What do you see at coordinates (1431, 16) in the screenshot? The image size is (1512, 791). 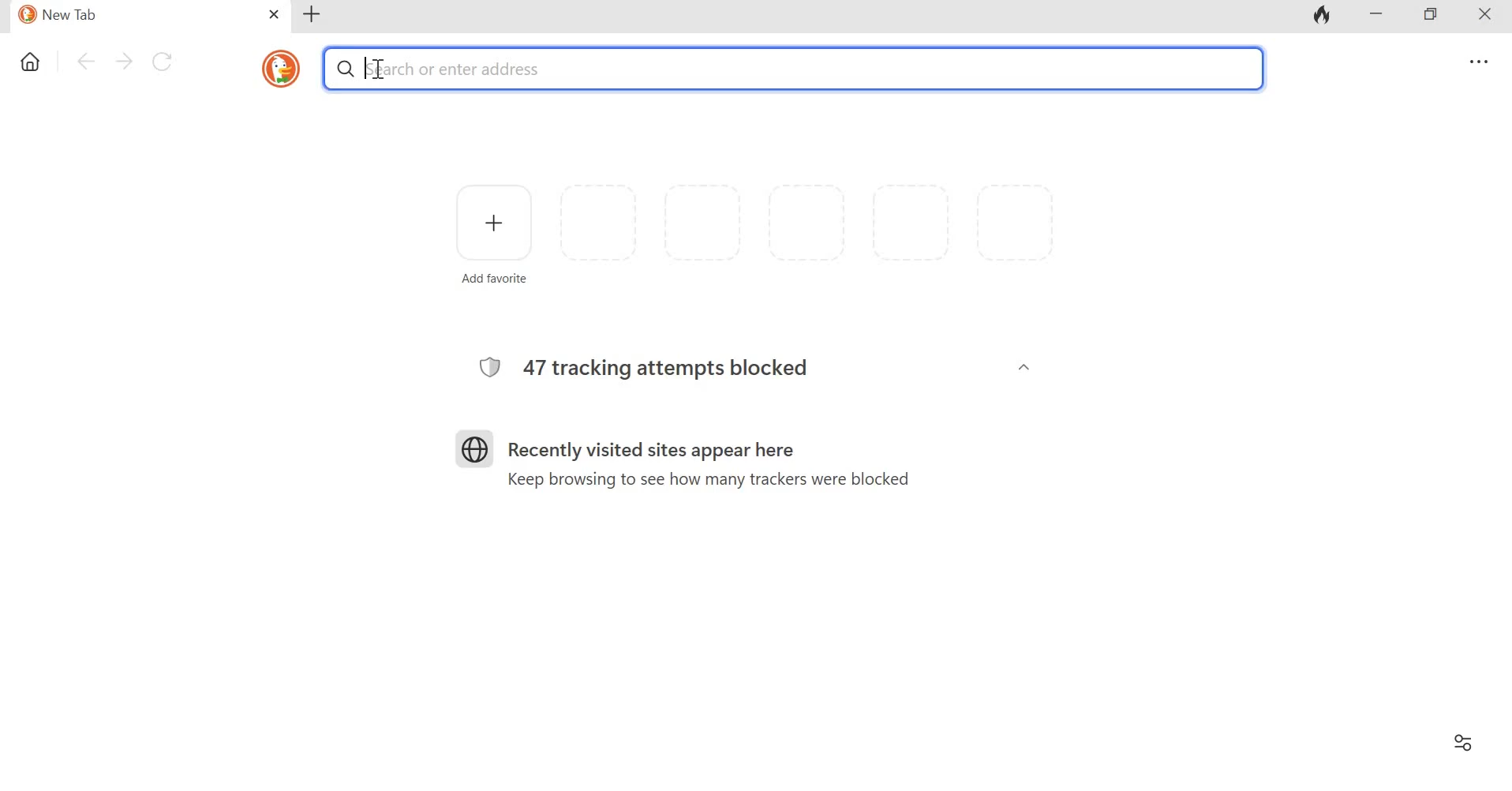 I see `Maximize` at bounding box center [1431, 16].